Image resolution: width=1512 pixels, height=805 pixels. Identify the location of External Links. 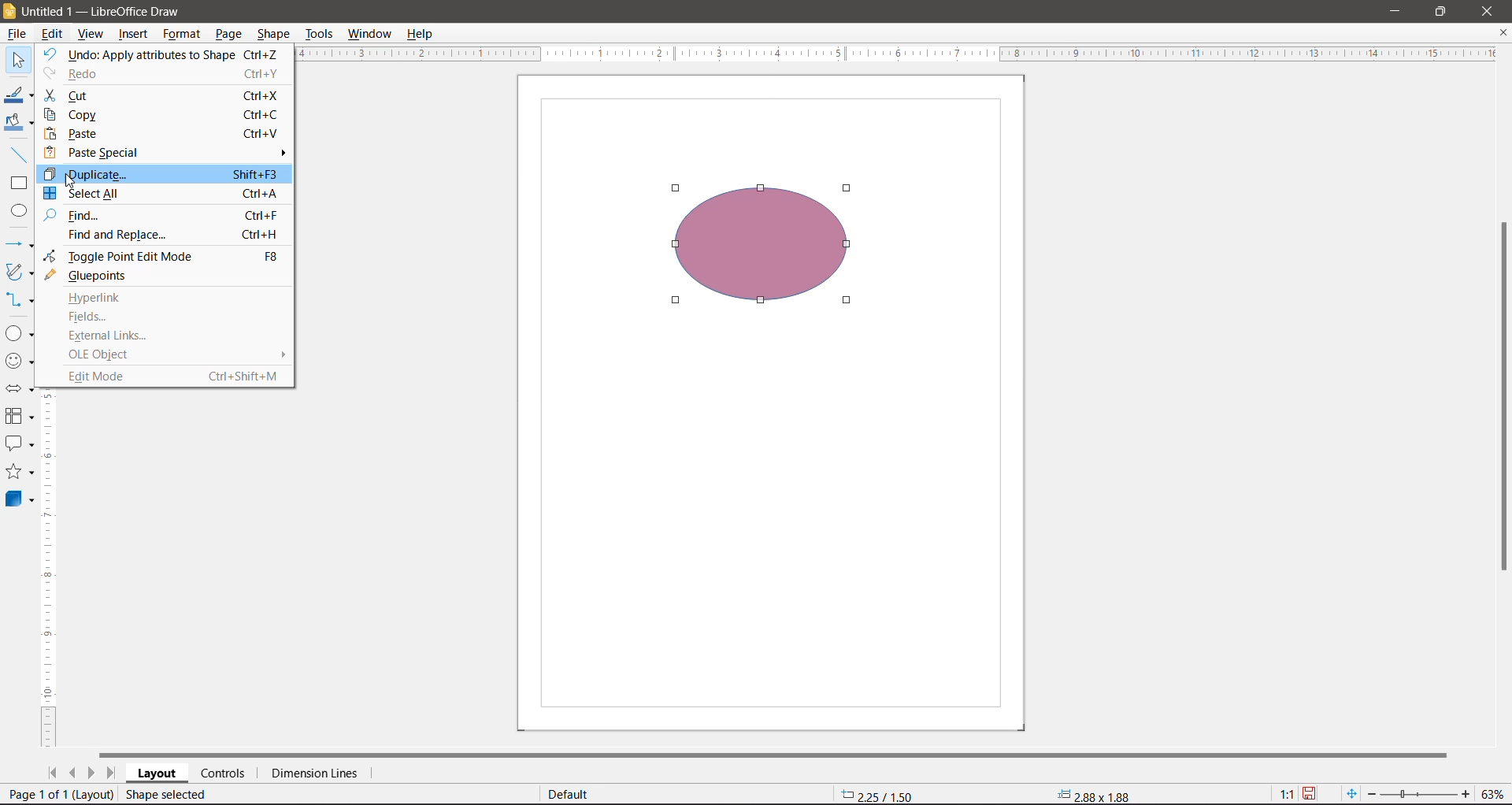
(107, 336).